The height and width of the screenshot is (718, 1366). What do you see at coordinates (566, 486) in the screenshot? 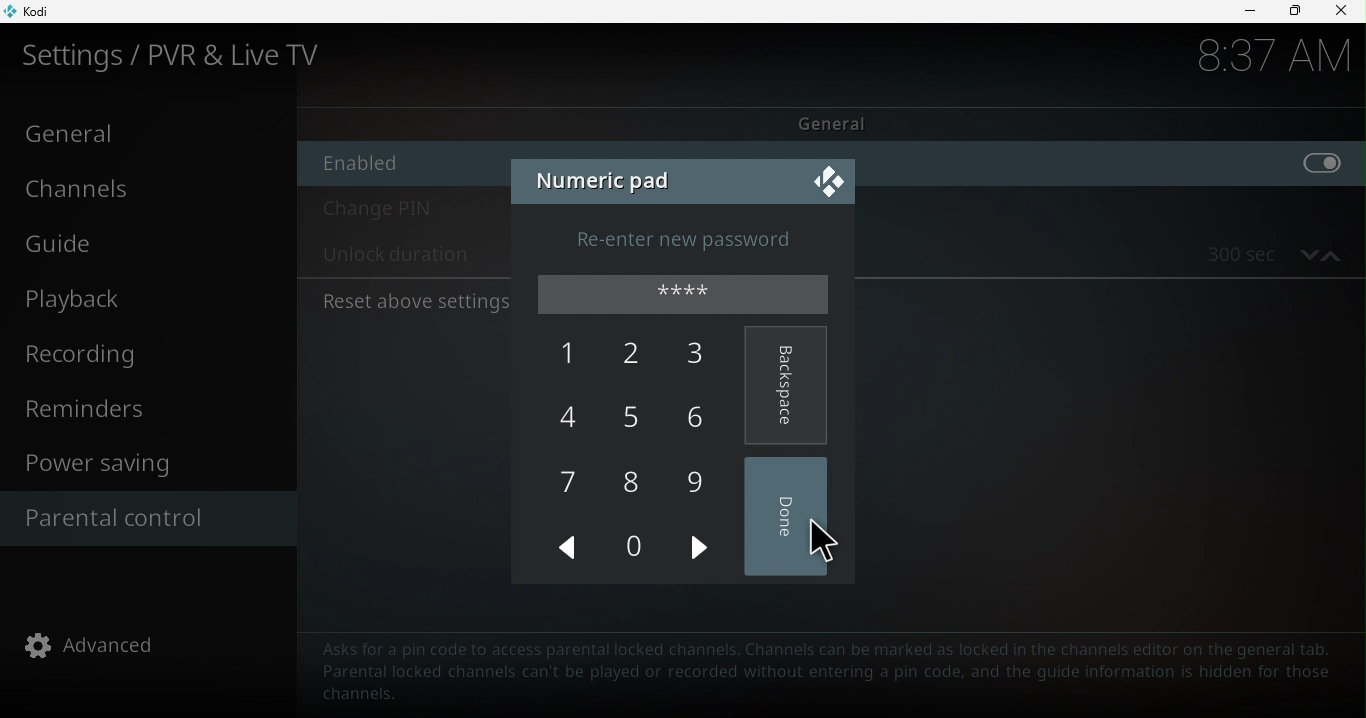
I see `7` at bounding box center [566, 486].